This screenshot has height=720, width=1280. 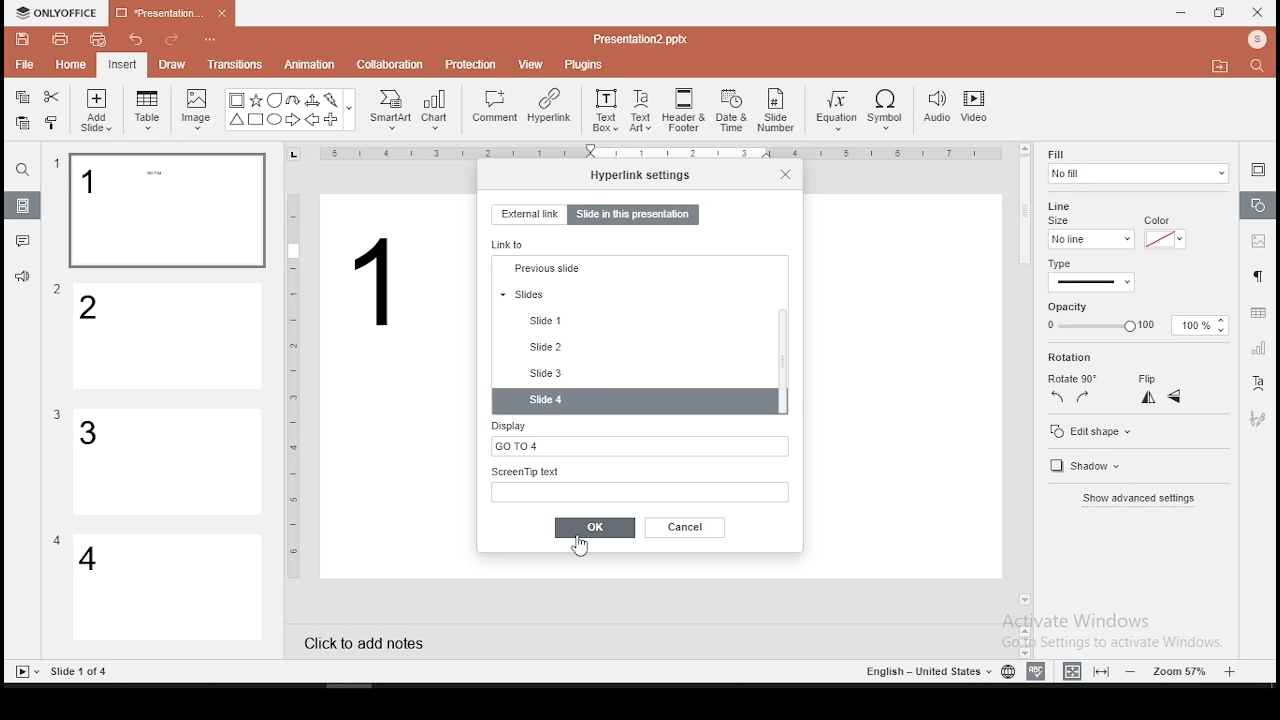 I want to click on comment, so click(x=495, y=107).